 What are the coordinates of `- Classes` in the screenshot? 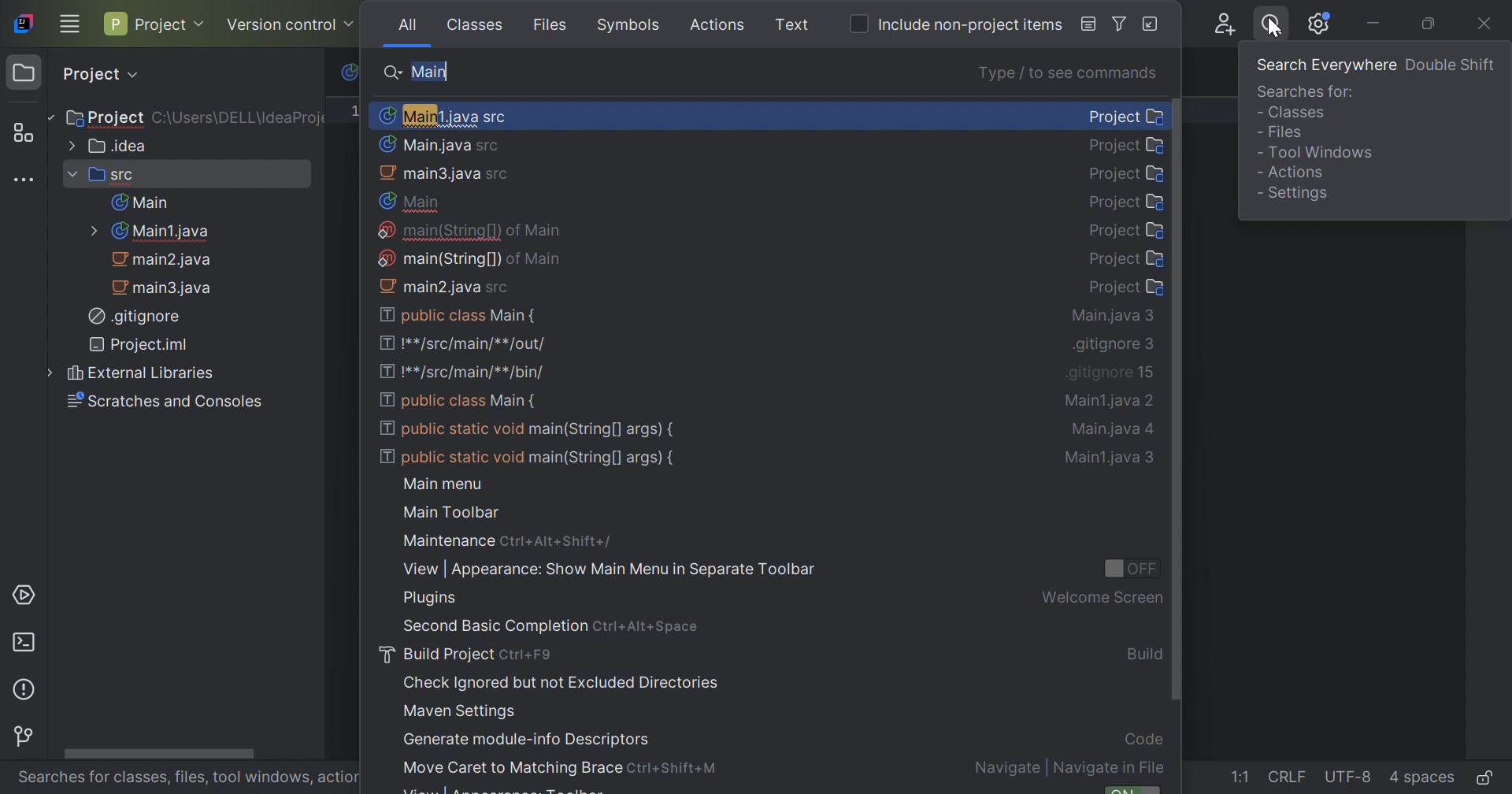 It's located at (1294, 117).